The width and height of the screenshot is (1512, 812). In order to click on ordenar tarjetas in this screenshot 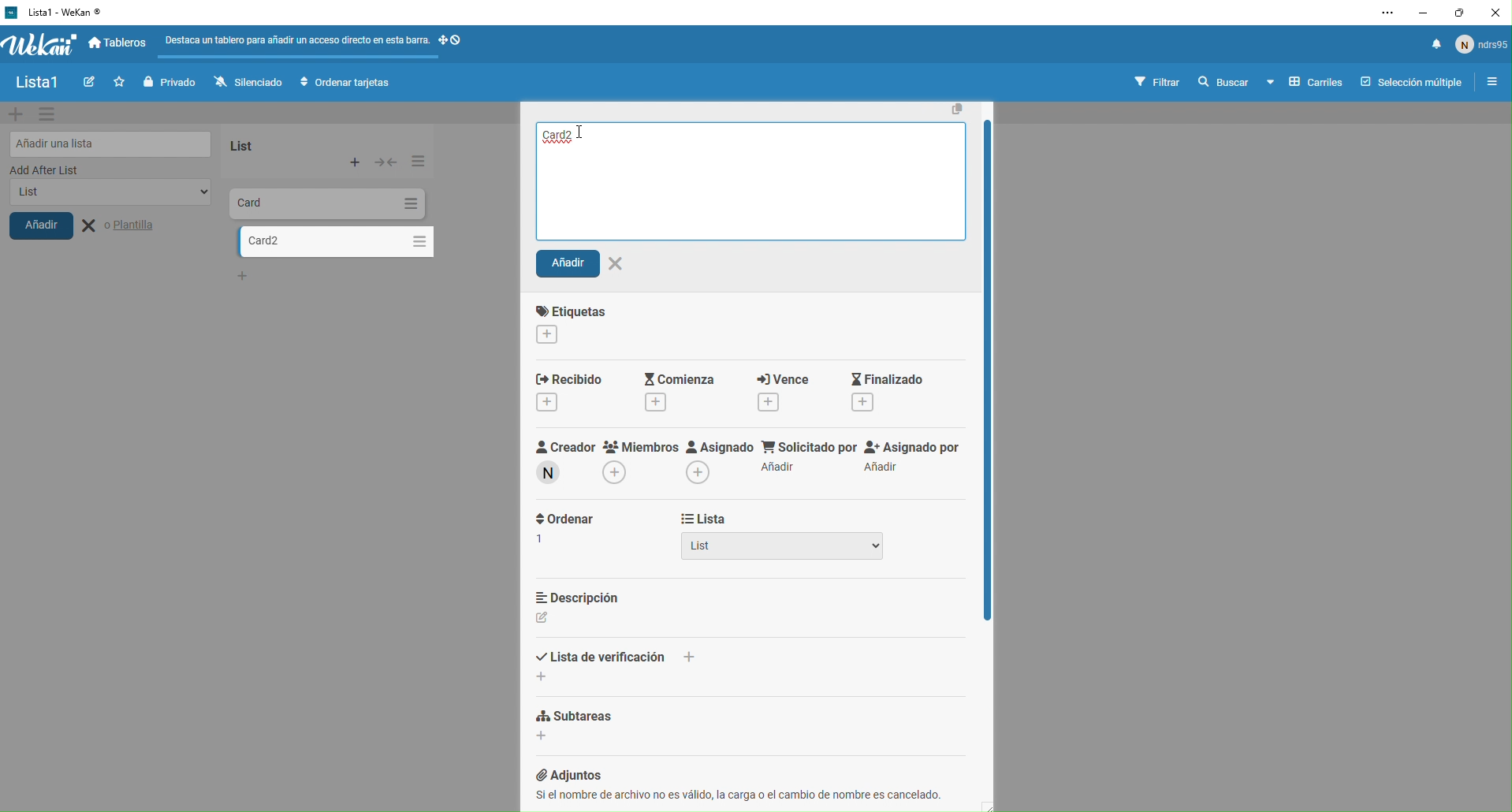, I will do `click(348, 84)`.